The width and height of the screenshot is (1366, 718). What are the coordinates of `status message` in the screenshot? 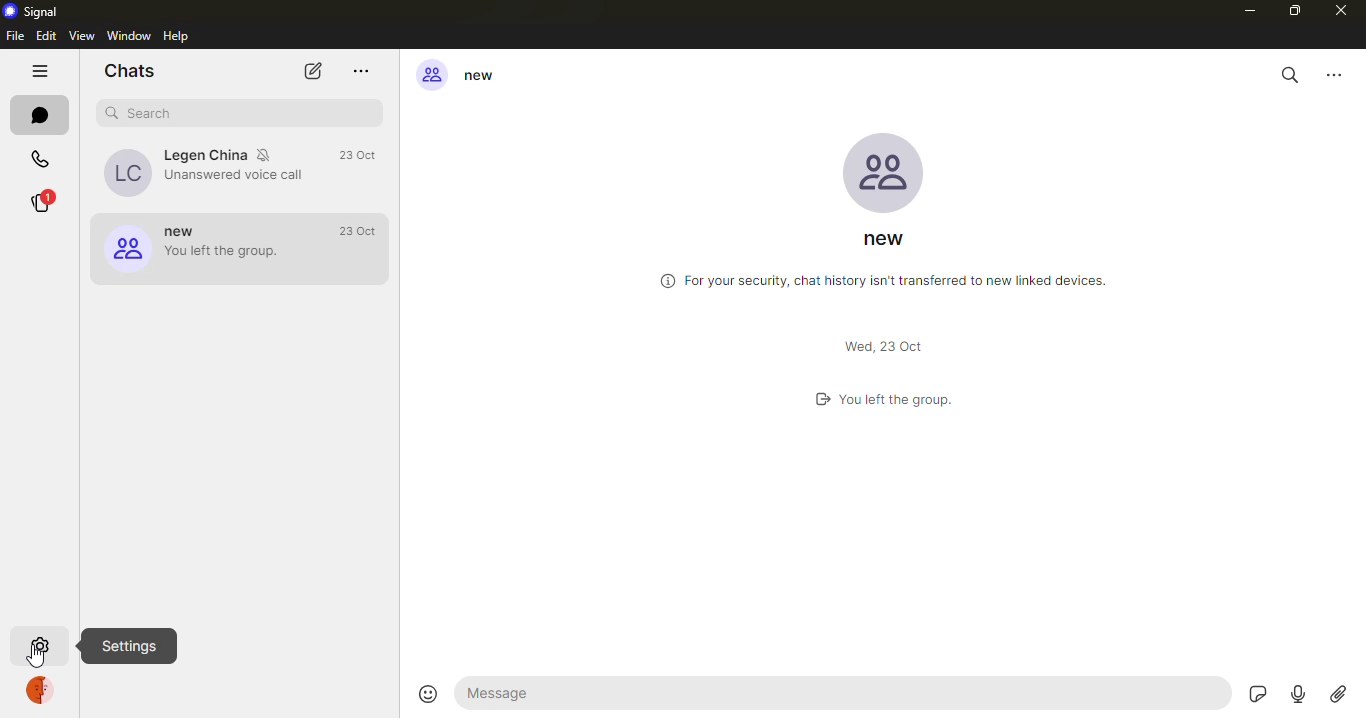 It's located at (878, 397).